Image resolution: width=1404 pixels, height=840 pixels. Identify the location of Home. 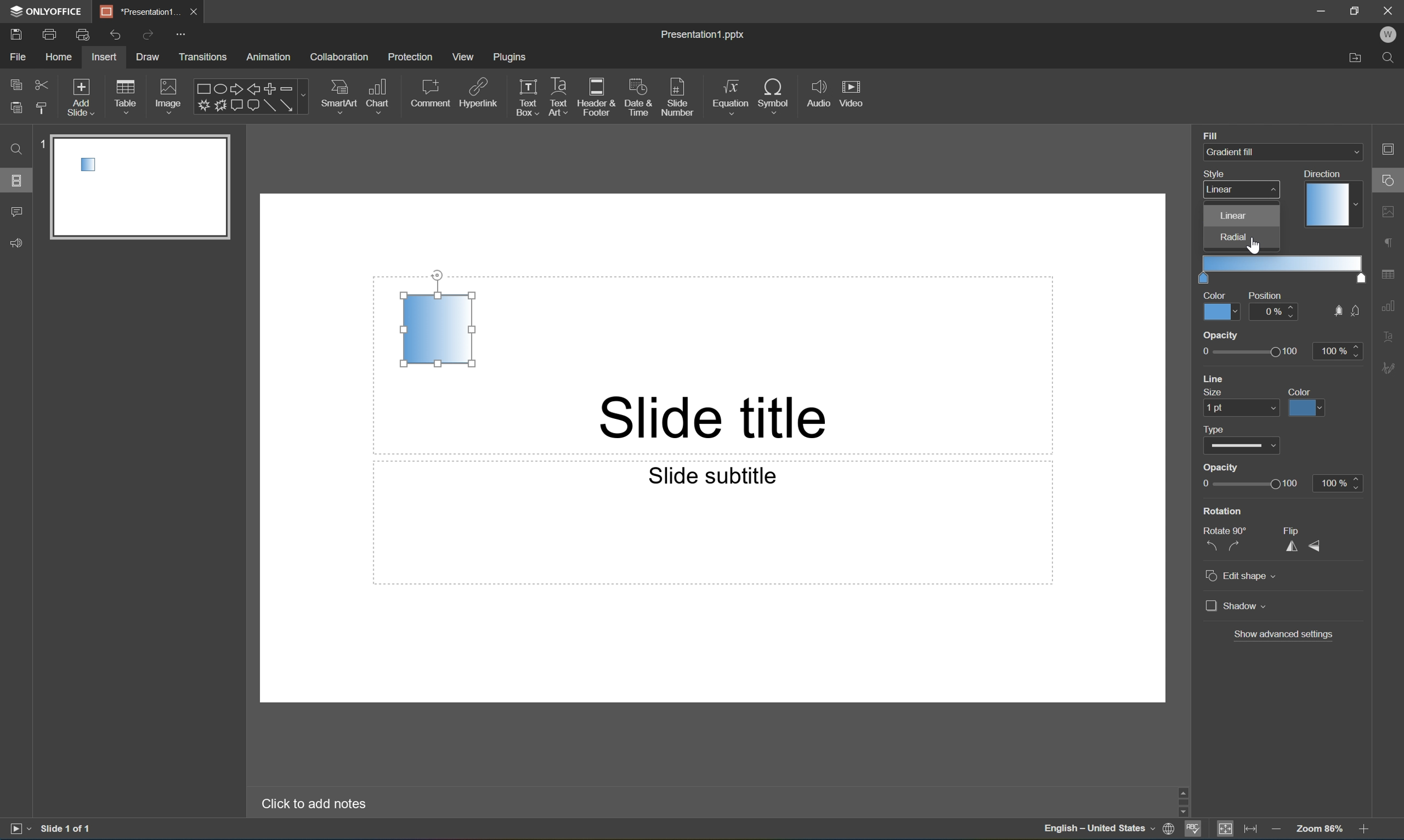
(60, 57).